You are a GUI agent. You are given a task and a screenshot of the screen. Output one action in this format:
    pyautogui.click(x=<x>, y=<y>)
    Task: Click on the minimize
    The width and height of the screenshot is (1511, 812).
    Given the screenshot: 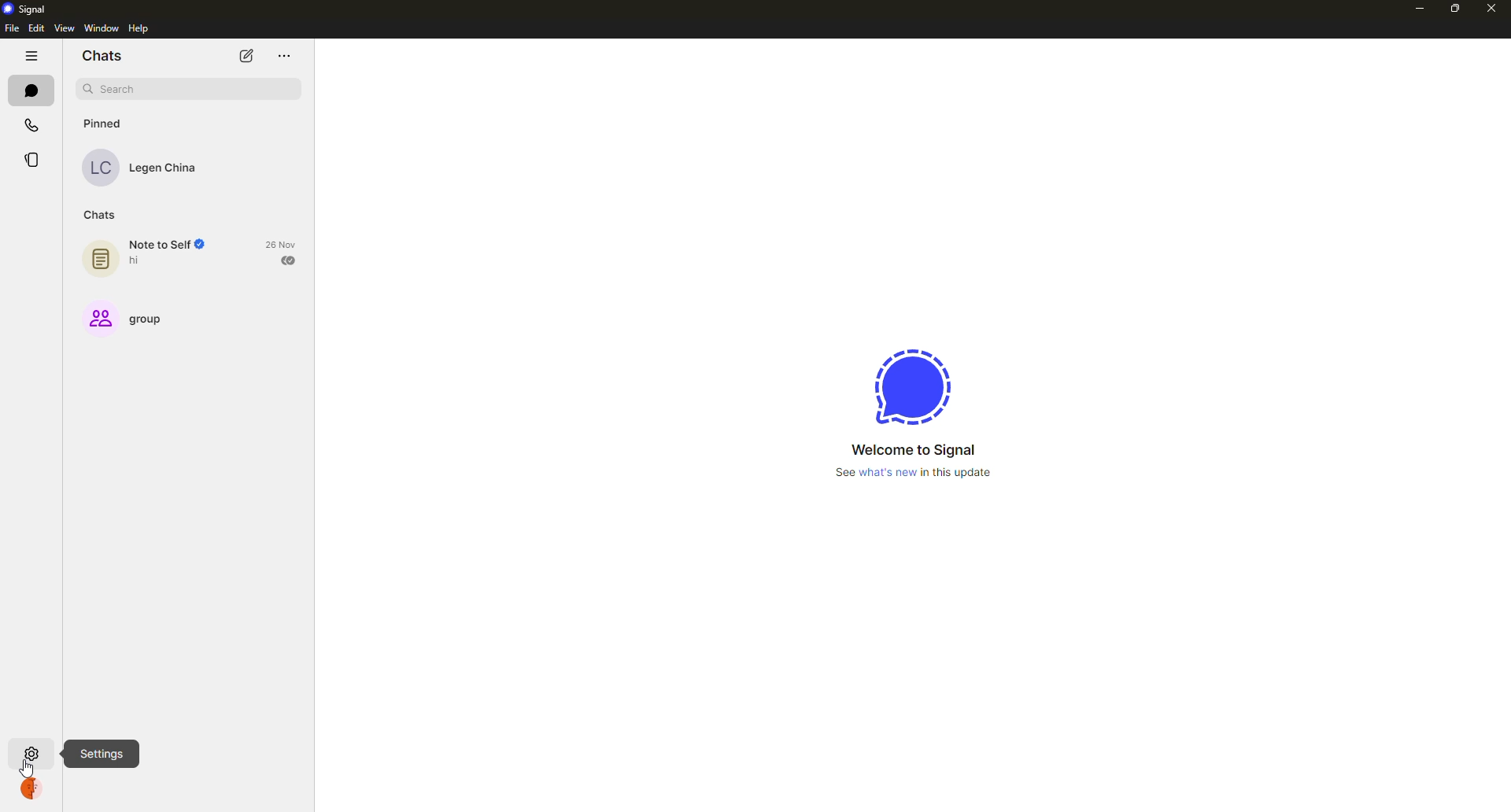 What is the action you would take?
    pyautogui.click(x=1415, y=8)
    